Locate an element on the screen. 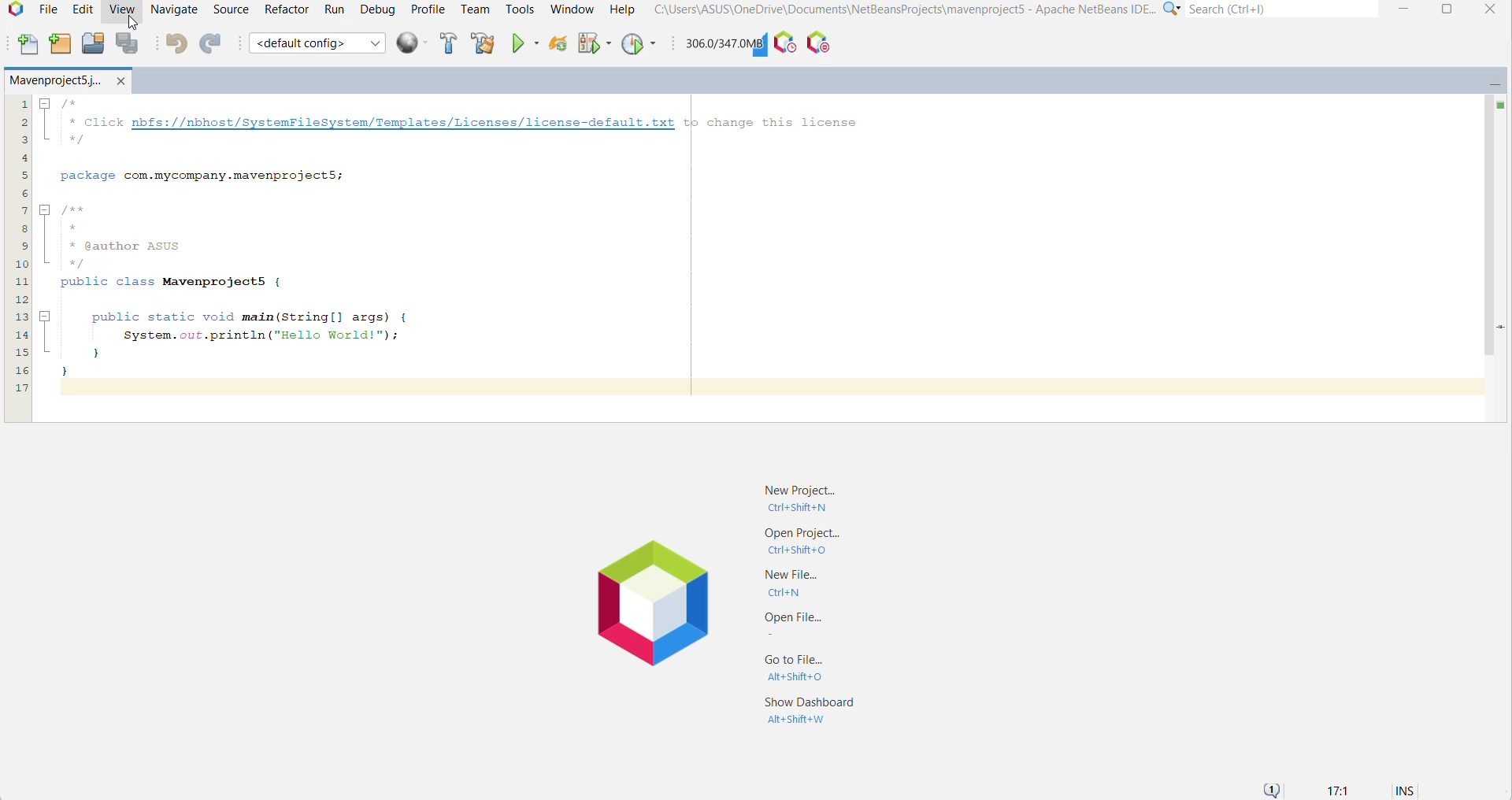 The image size is (1512, 800). Refactor is located at coordinates (286, 9).